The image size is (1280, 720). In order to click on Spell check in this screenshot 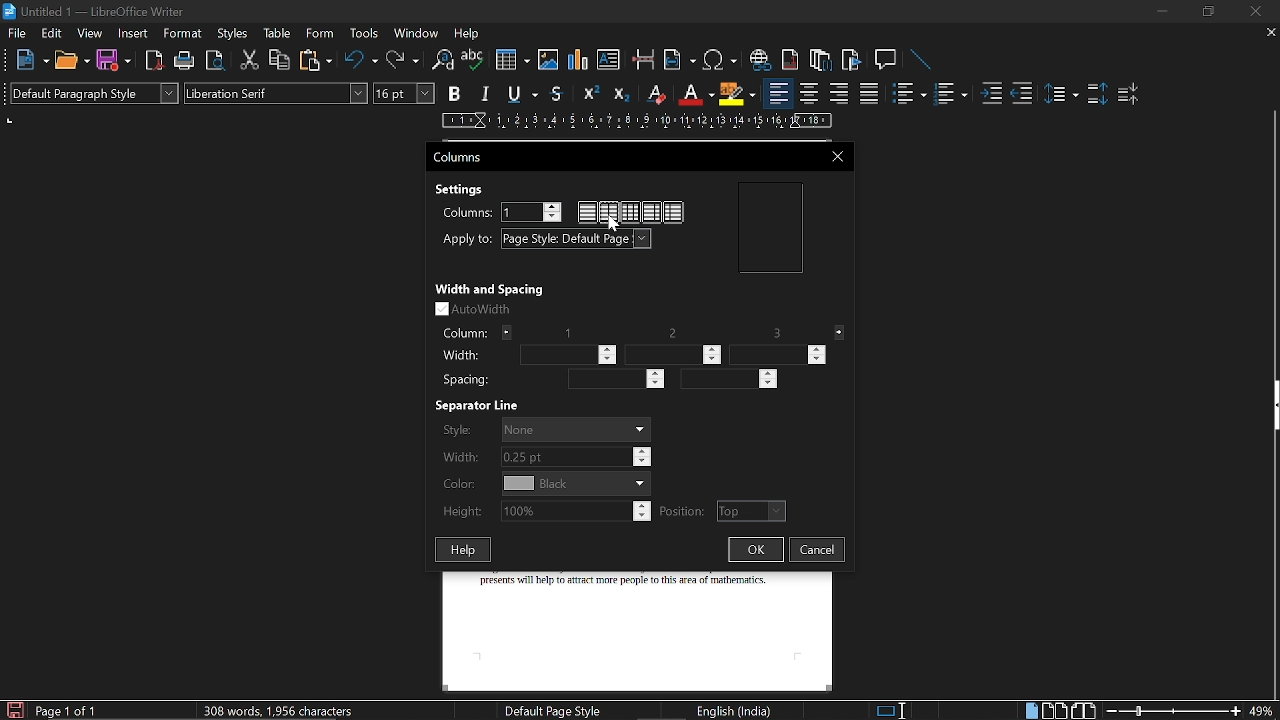, I will do `click(473, 59)`.